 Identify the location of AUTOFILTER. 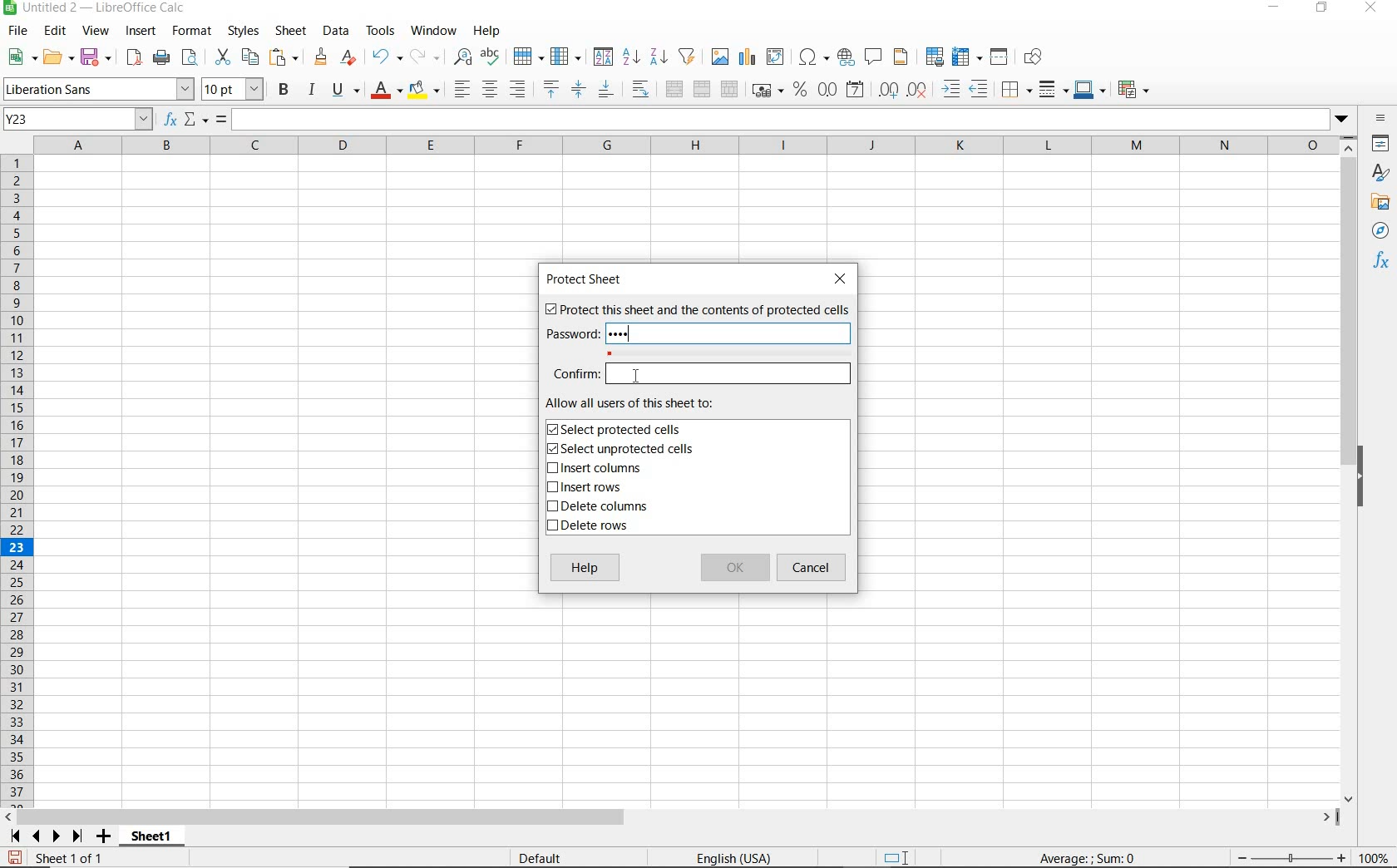
(688, 56).